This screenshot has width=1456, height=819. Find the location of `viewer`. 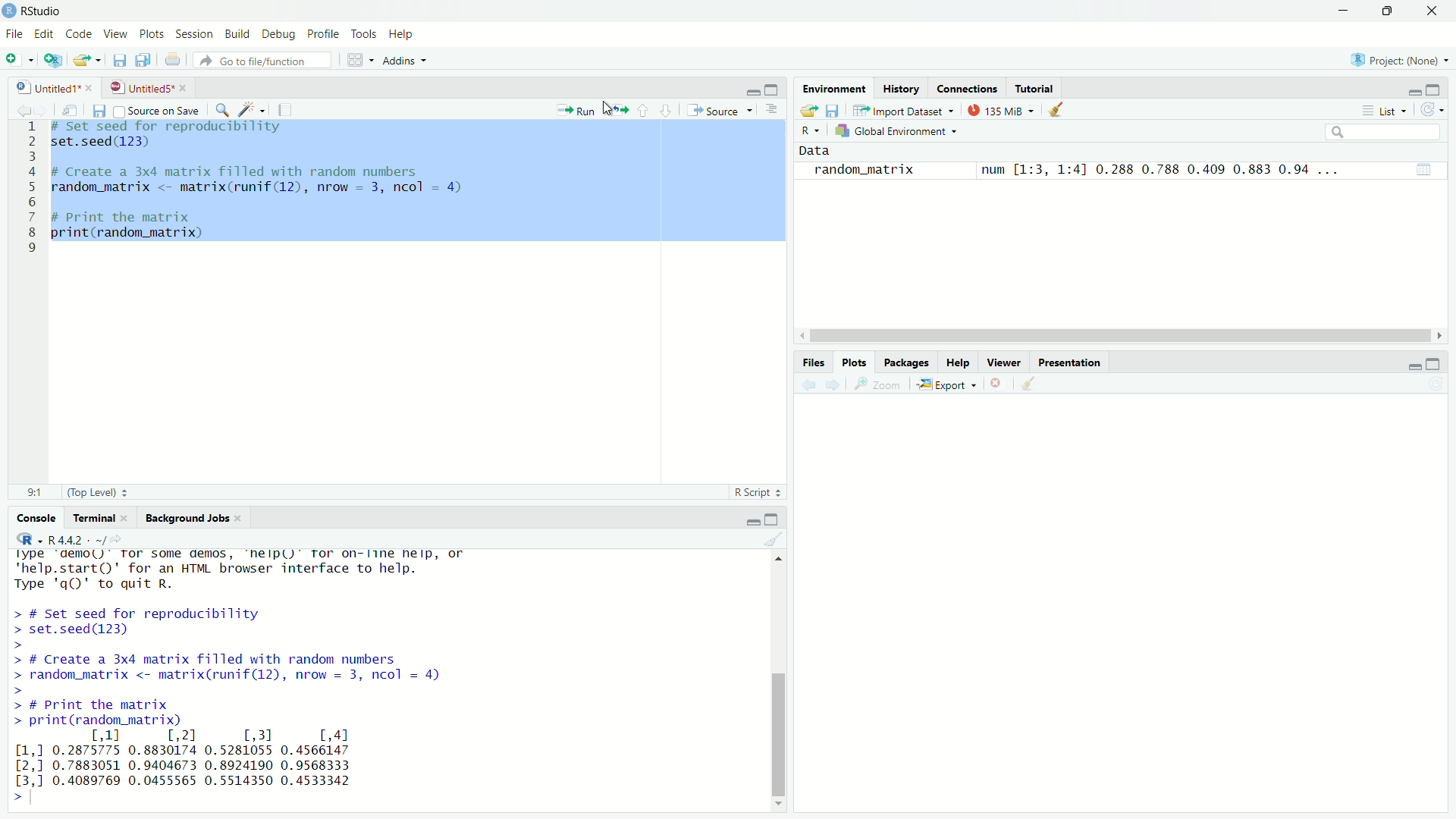

viewer is located at coordinates (1003, 361).